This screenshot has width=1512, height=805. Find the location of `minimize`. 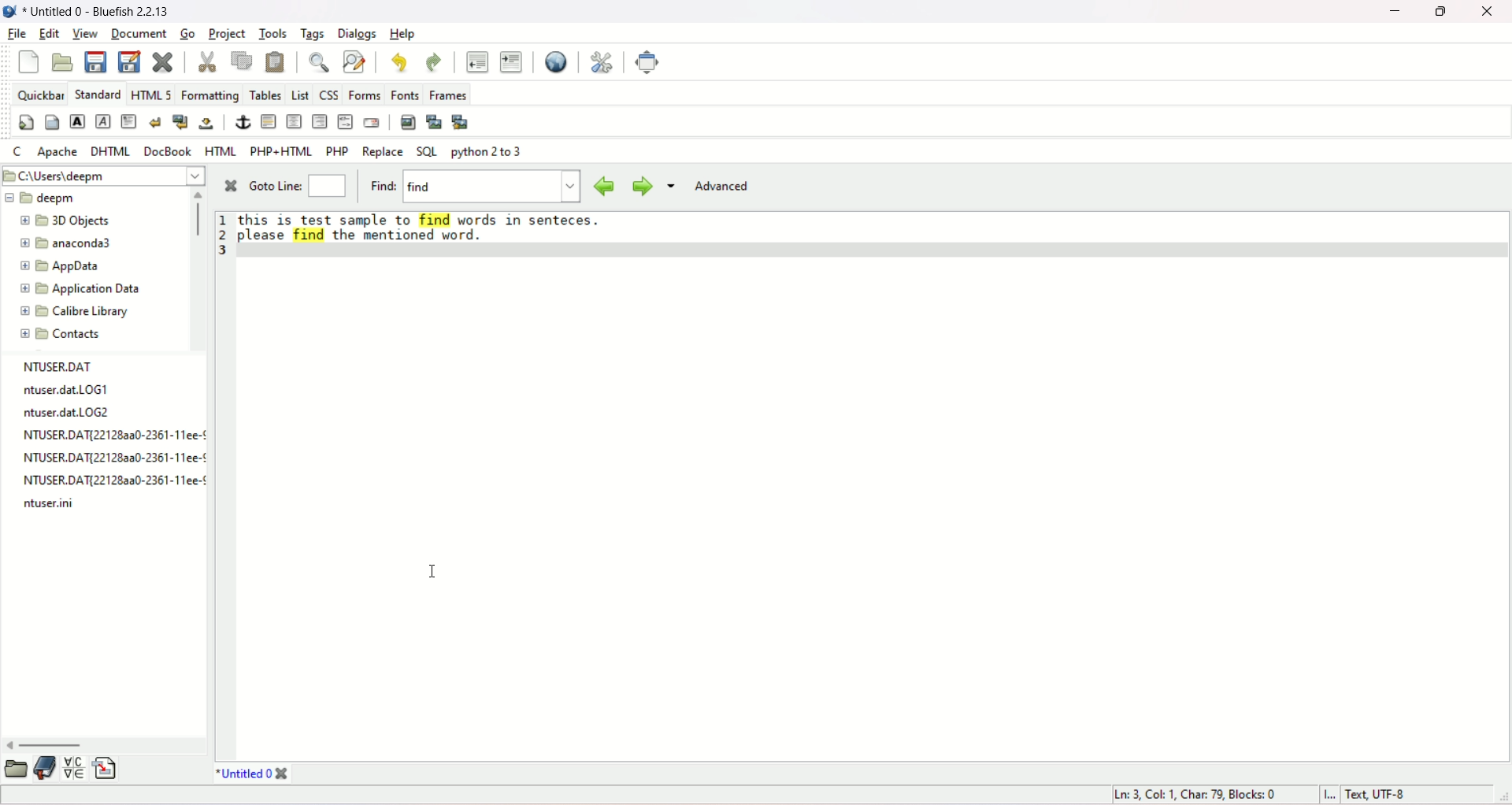

minimize is located at coordinates (1396, 10).